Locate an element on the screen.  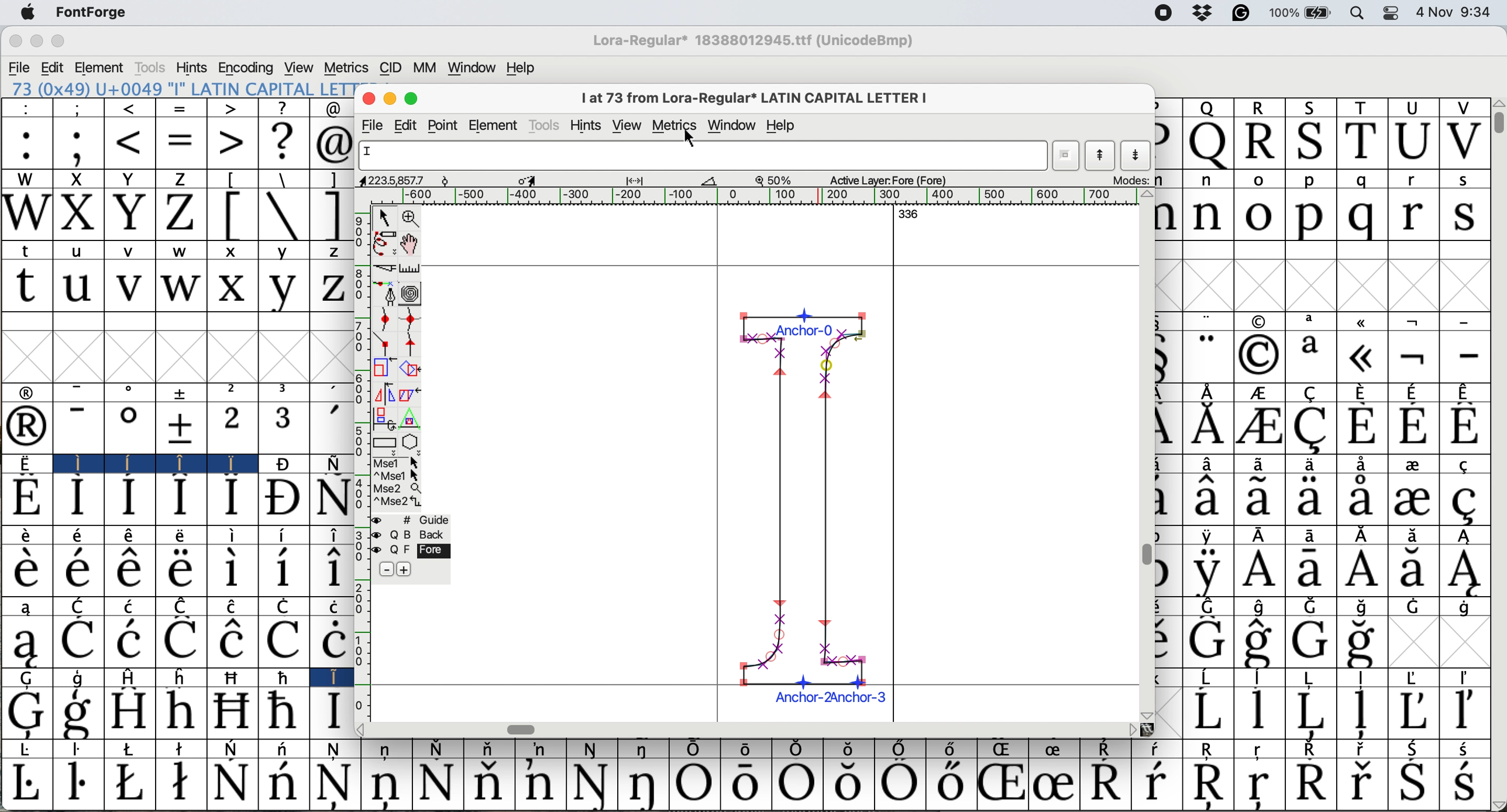
Symbol is located at coordinates (486, 783).